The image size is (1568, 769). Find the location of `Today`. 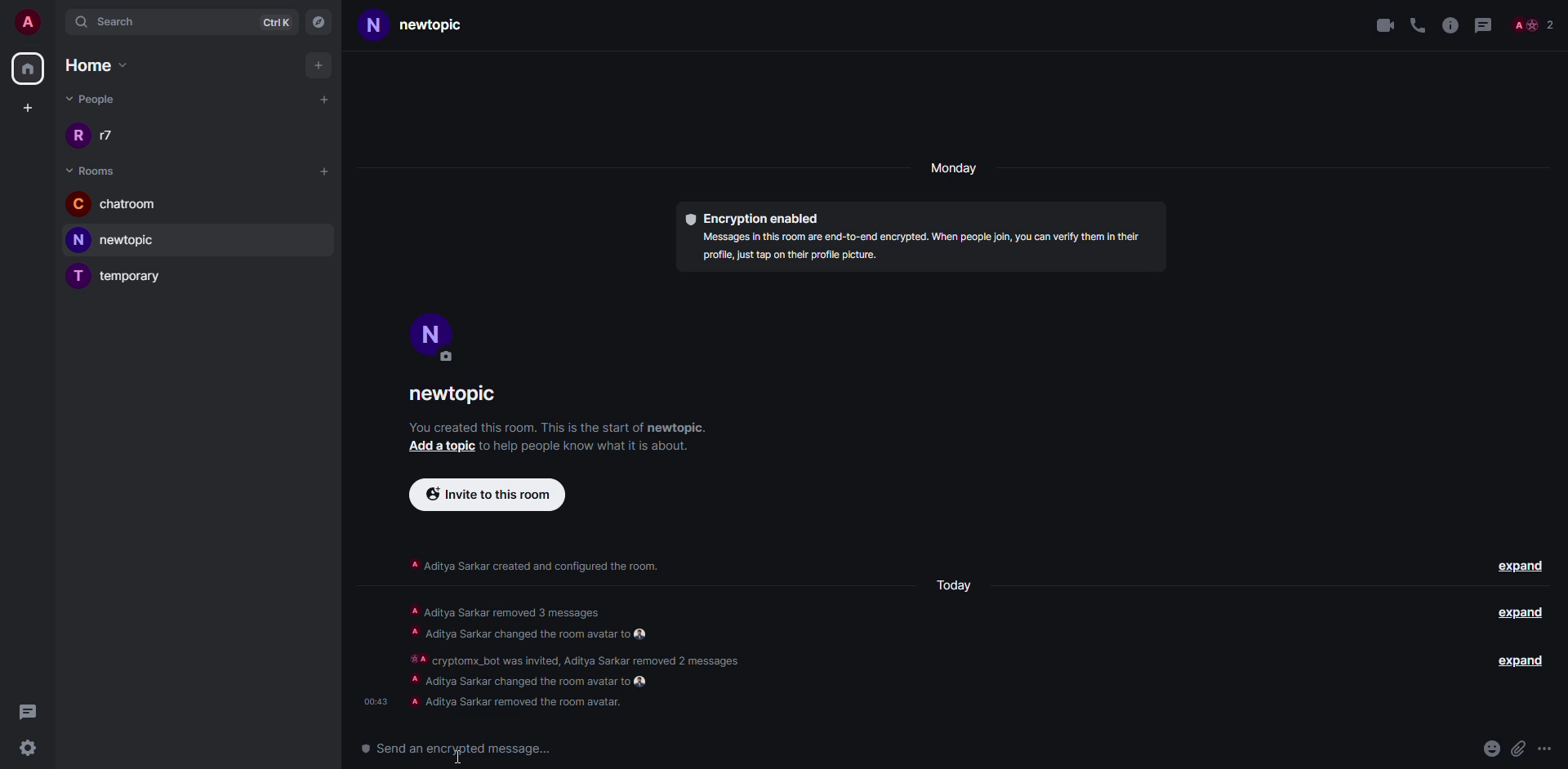

Today is located at coordinates (952, 585).